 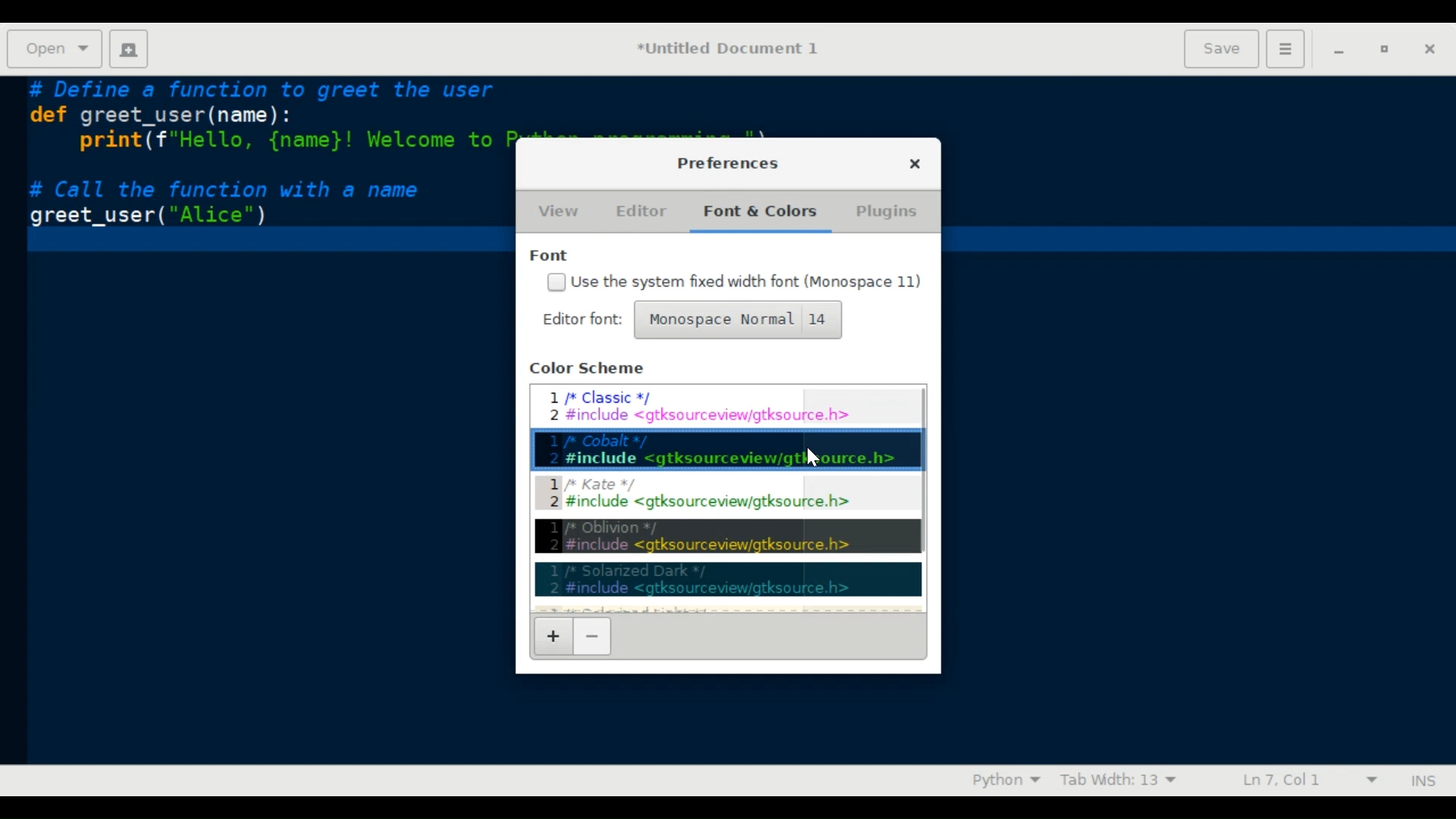 I want to click on Install Scheme, so click(x=555, y=638).